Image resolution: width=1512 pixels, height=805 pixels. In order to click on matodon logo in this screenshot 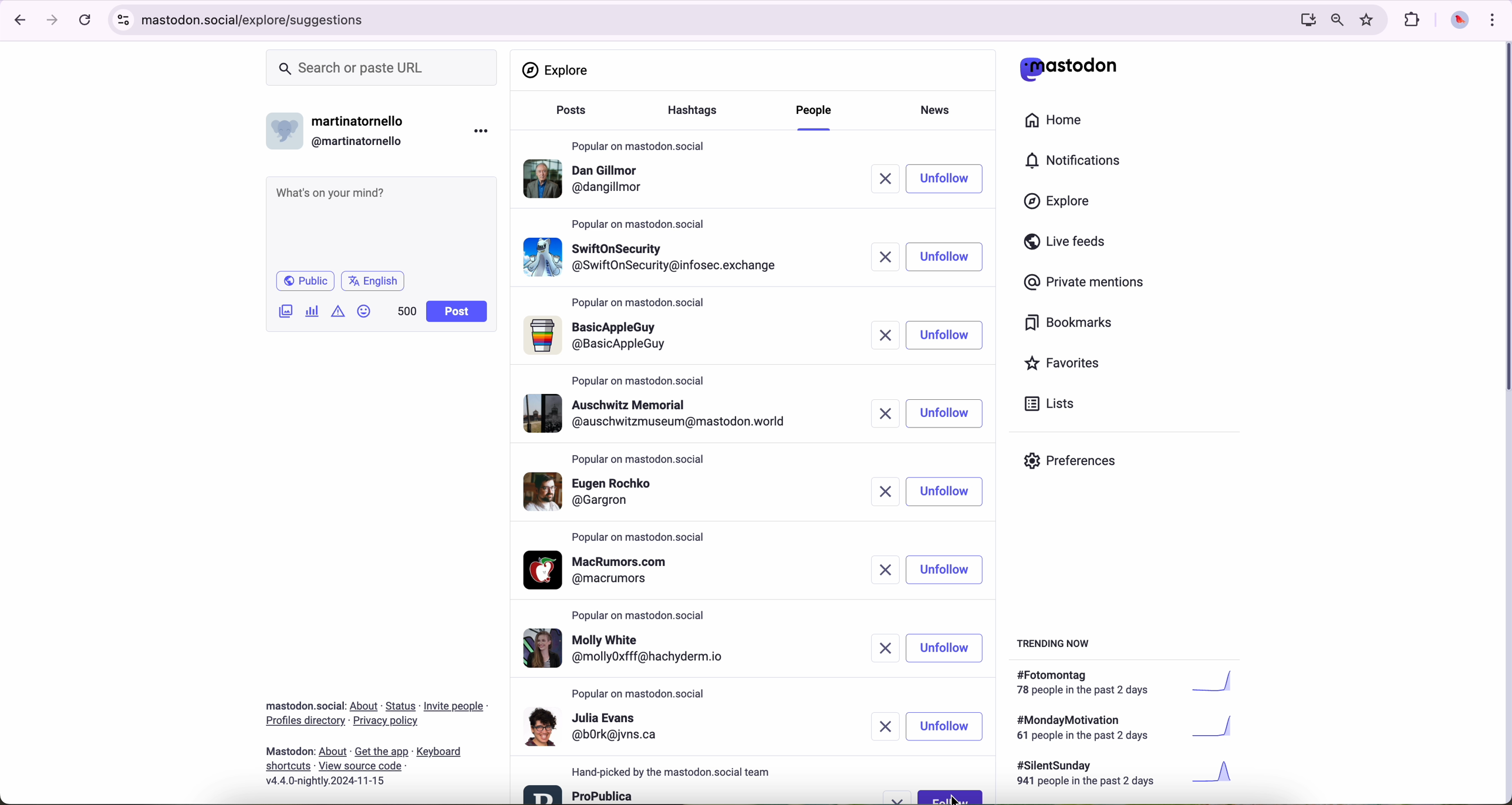, I will do `click(1069, 69)`.